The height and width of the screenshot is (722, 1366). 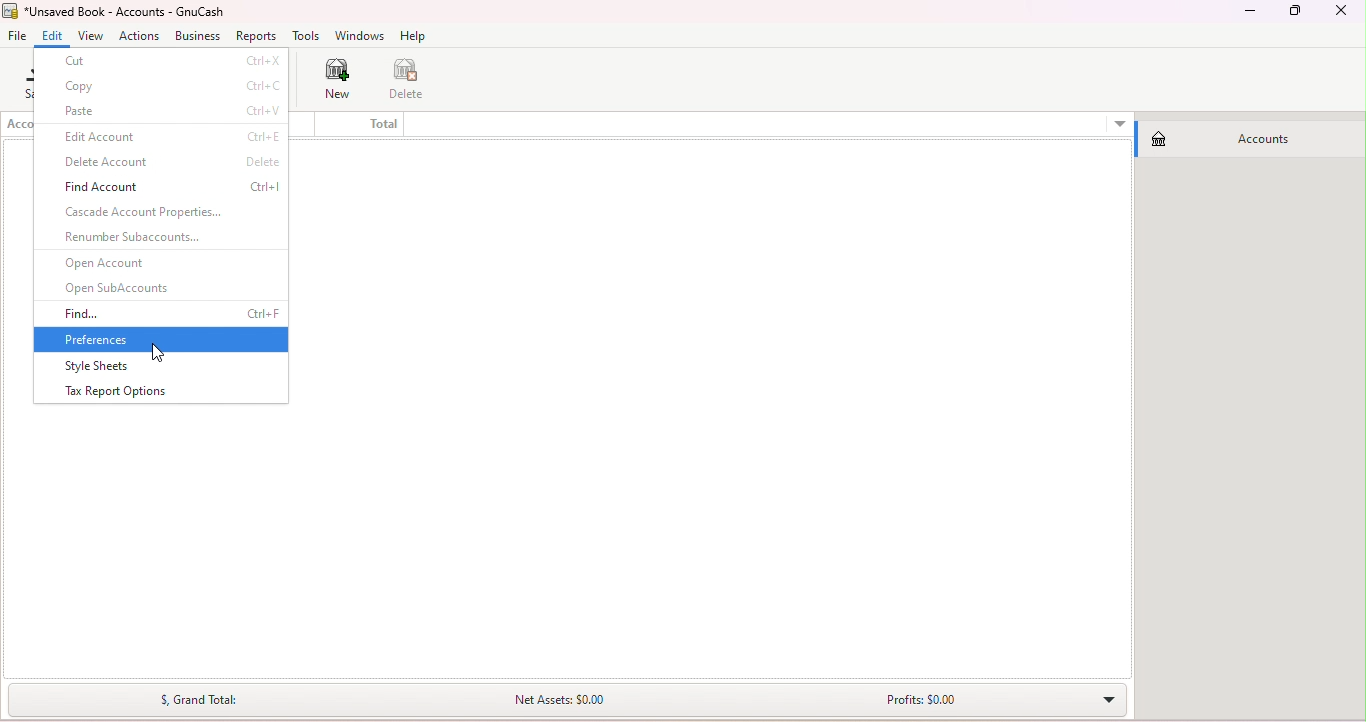 What do you see at coordinates (1245, 136) in the screenshot?
I see `Accounts` at bounding box center [1245, 136].